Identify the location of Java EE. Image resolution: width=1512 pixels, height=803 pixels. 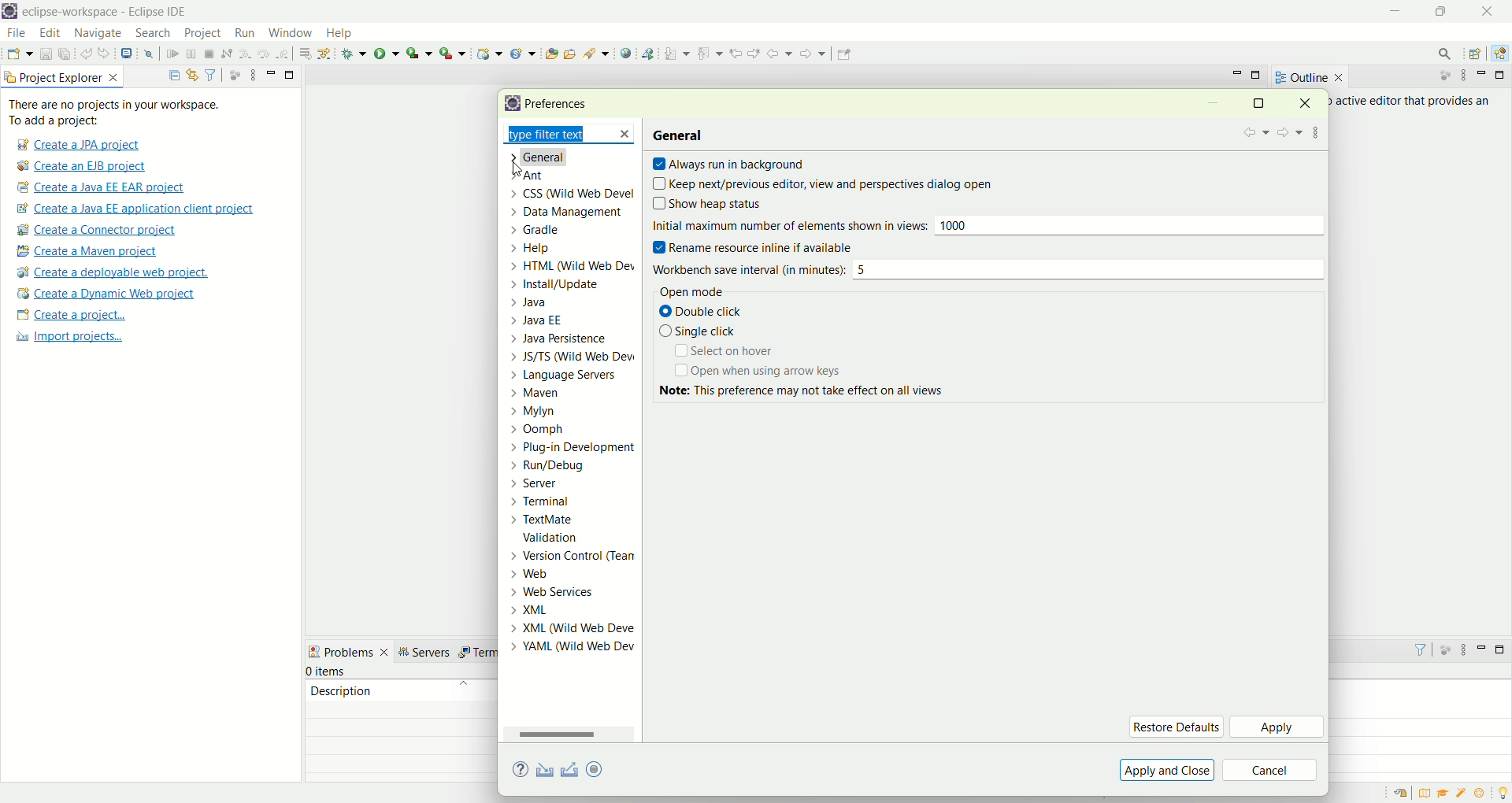
(1503, 54).